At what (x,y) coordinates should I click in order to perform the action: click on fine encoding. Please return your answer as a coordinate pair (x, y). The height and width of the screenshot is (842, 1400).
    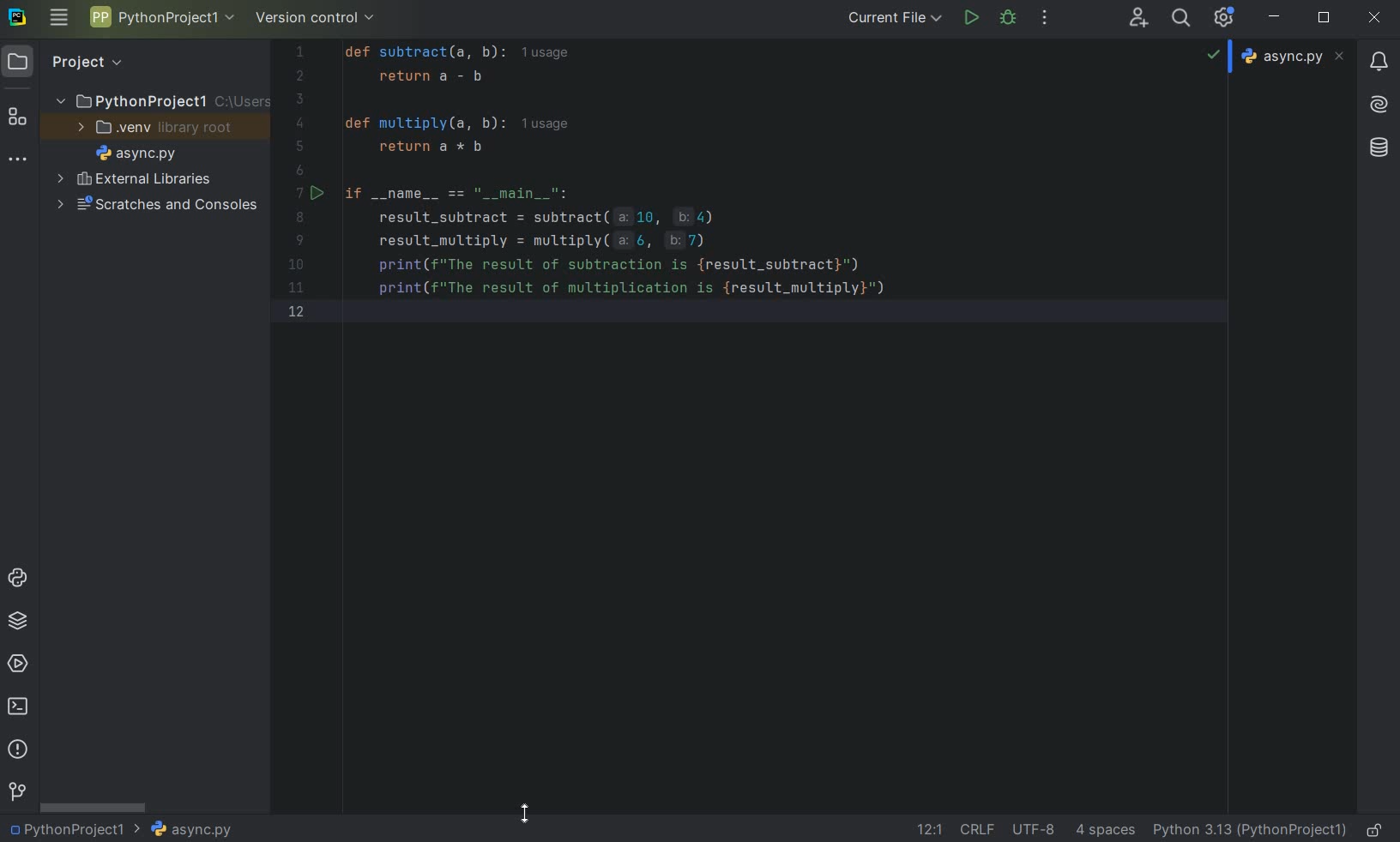
    Looking at the image, I should click on (1033, 827).